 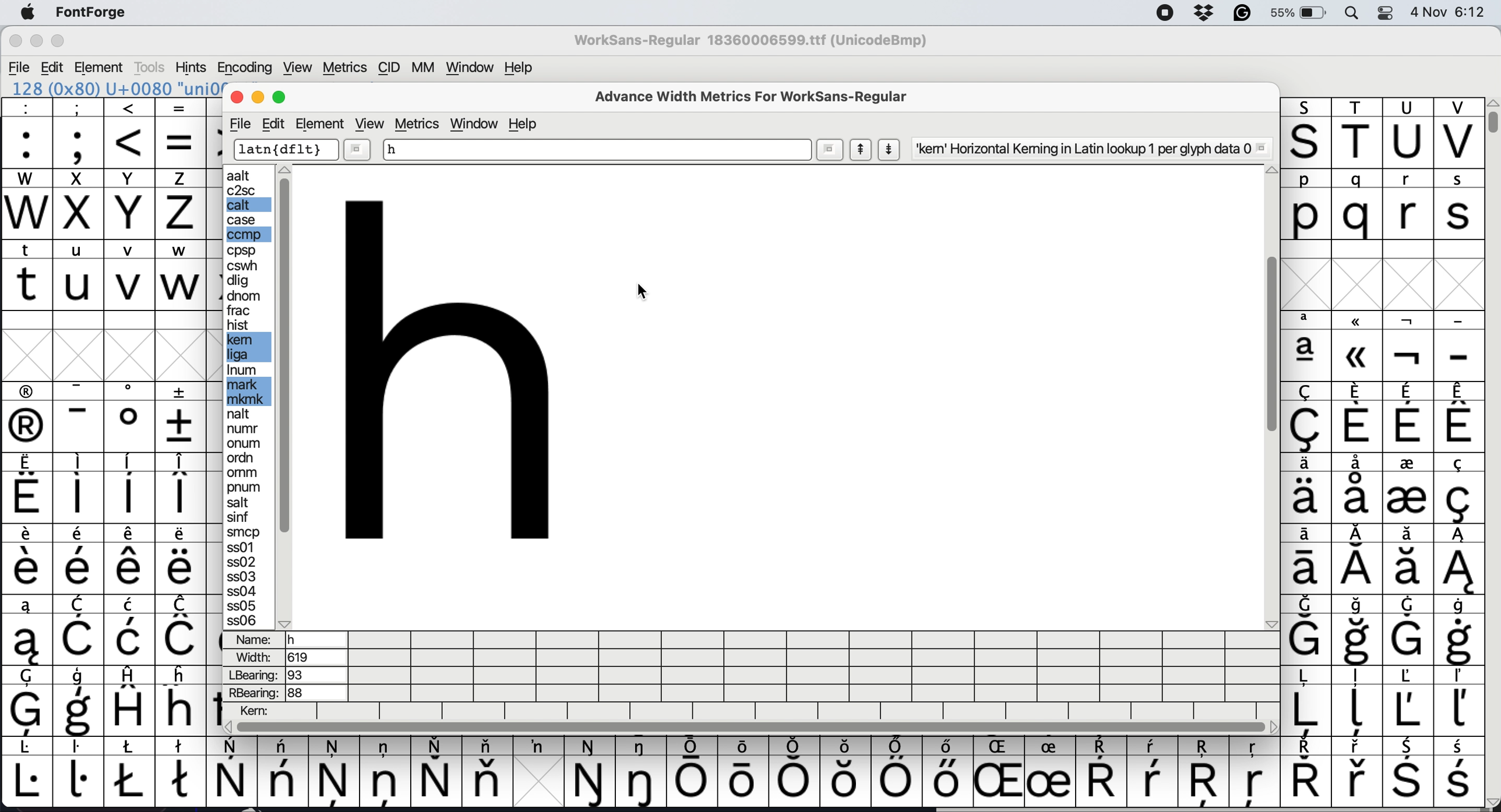 I want to click on special characters, so click(x=1383, y=534).